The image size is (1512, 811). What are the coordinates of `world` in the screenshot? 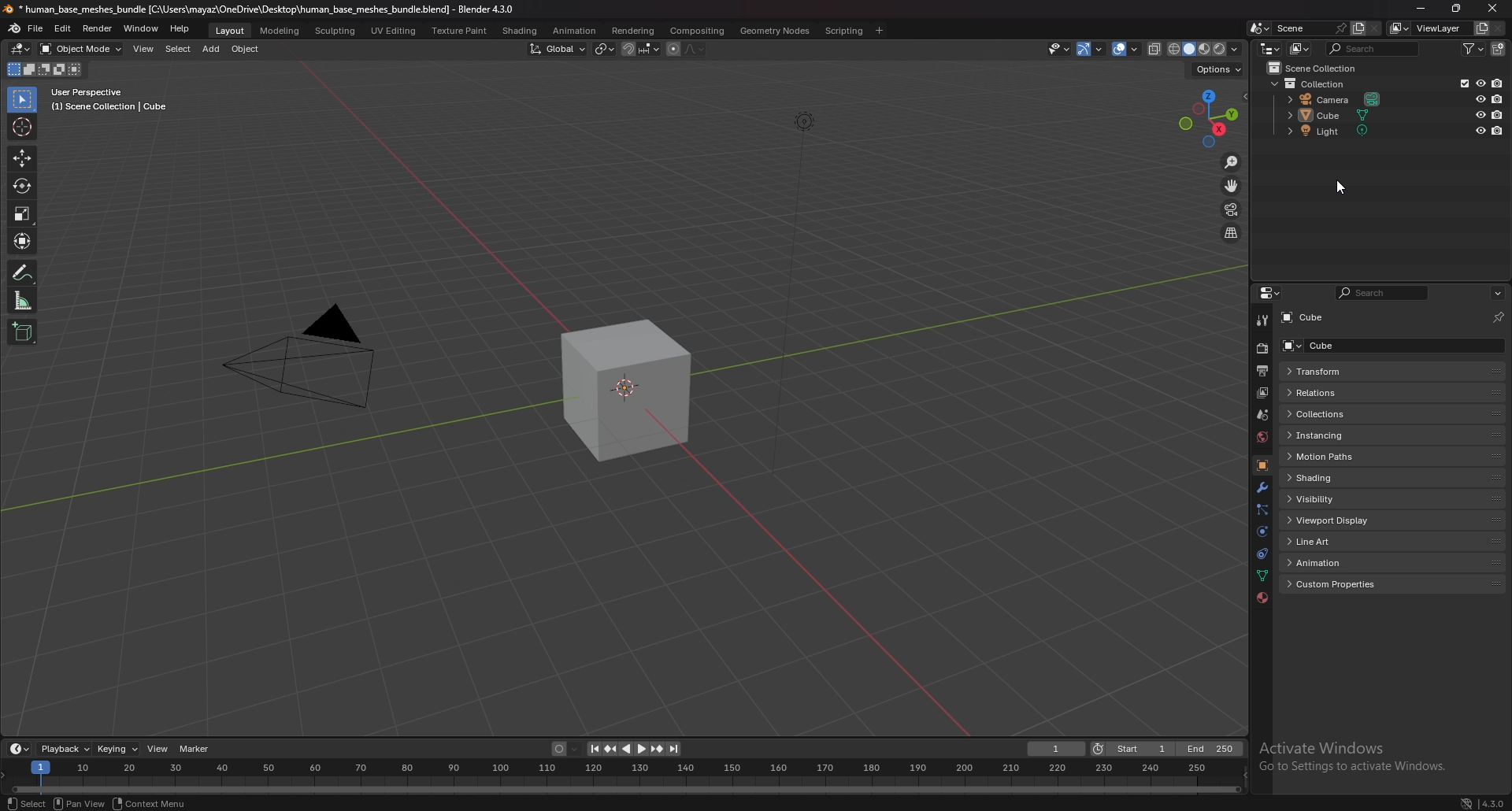 It's located at (1262, 437).